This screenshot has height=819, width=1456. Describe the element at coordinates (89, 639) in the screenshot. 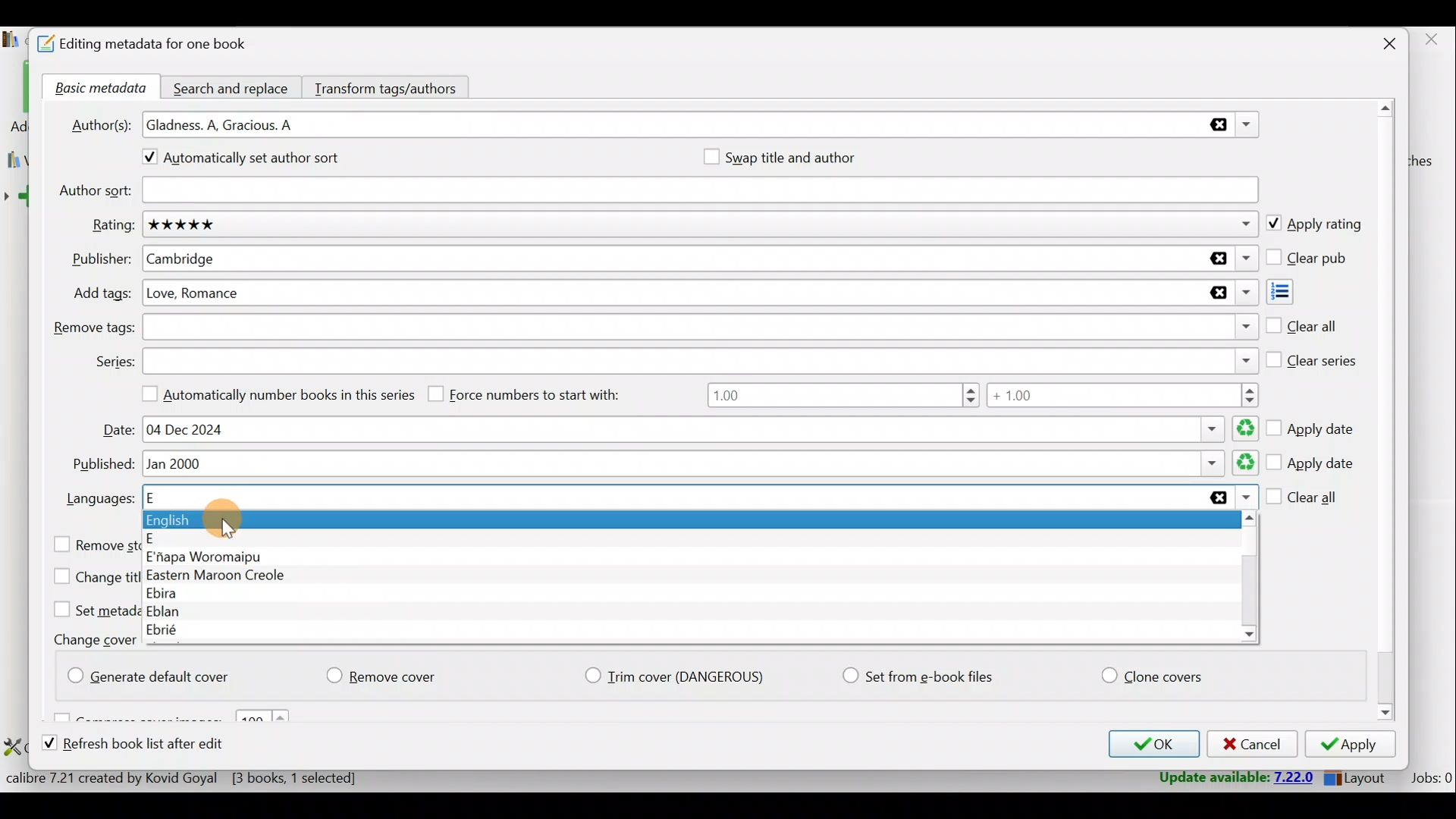

I see `Change cover` at that location.